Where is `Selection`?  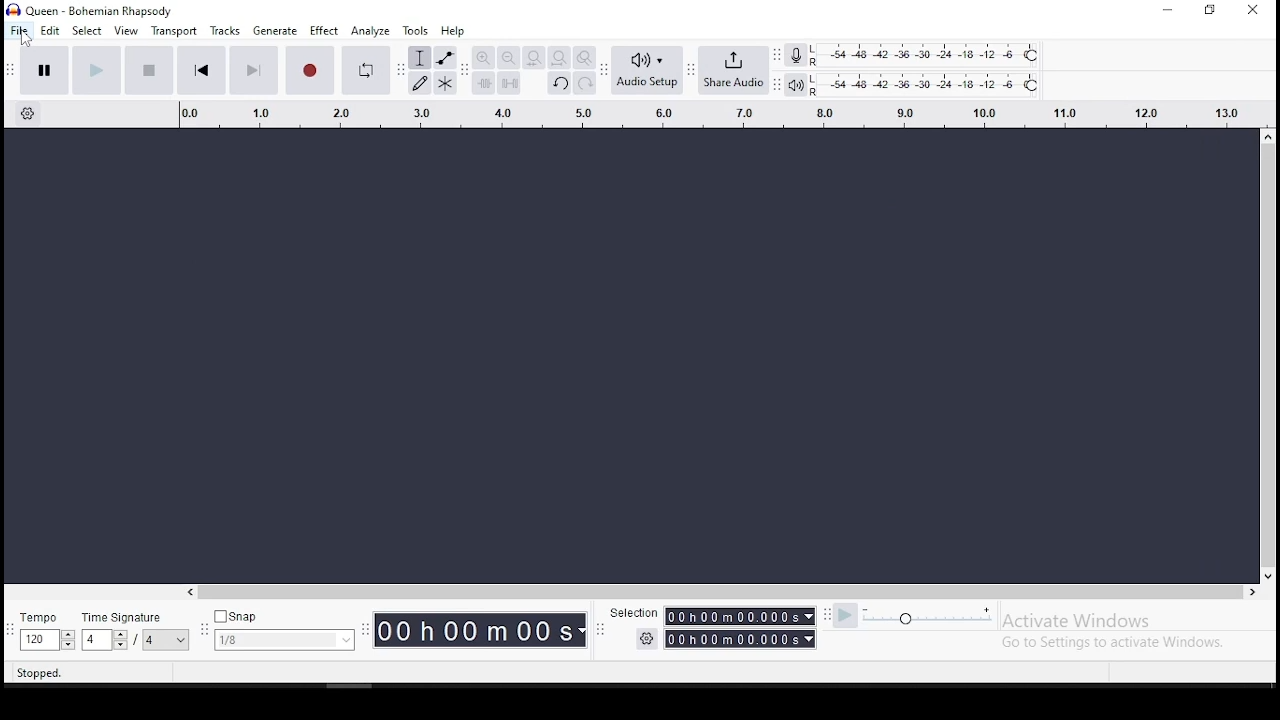
Selection is located at coordinates (631, 612).